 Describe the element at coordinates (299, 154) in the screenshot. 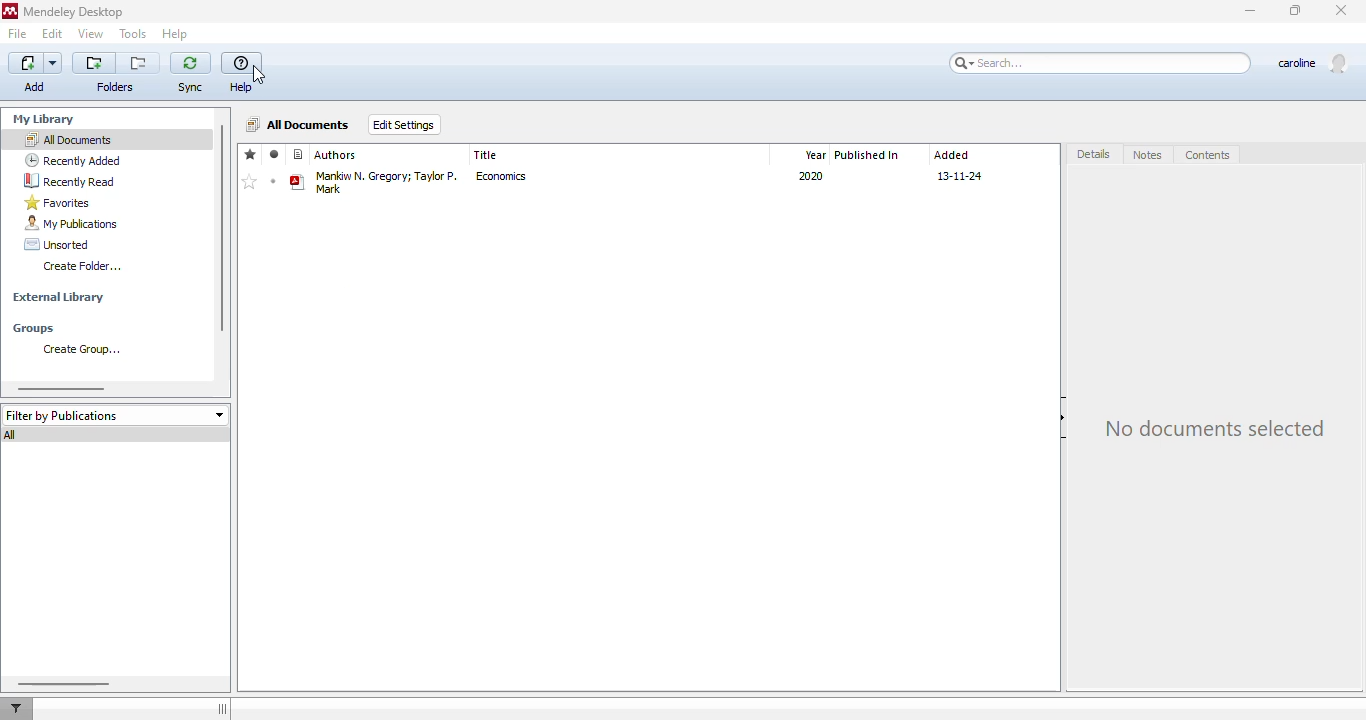

I see `reference type` at that location.